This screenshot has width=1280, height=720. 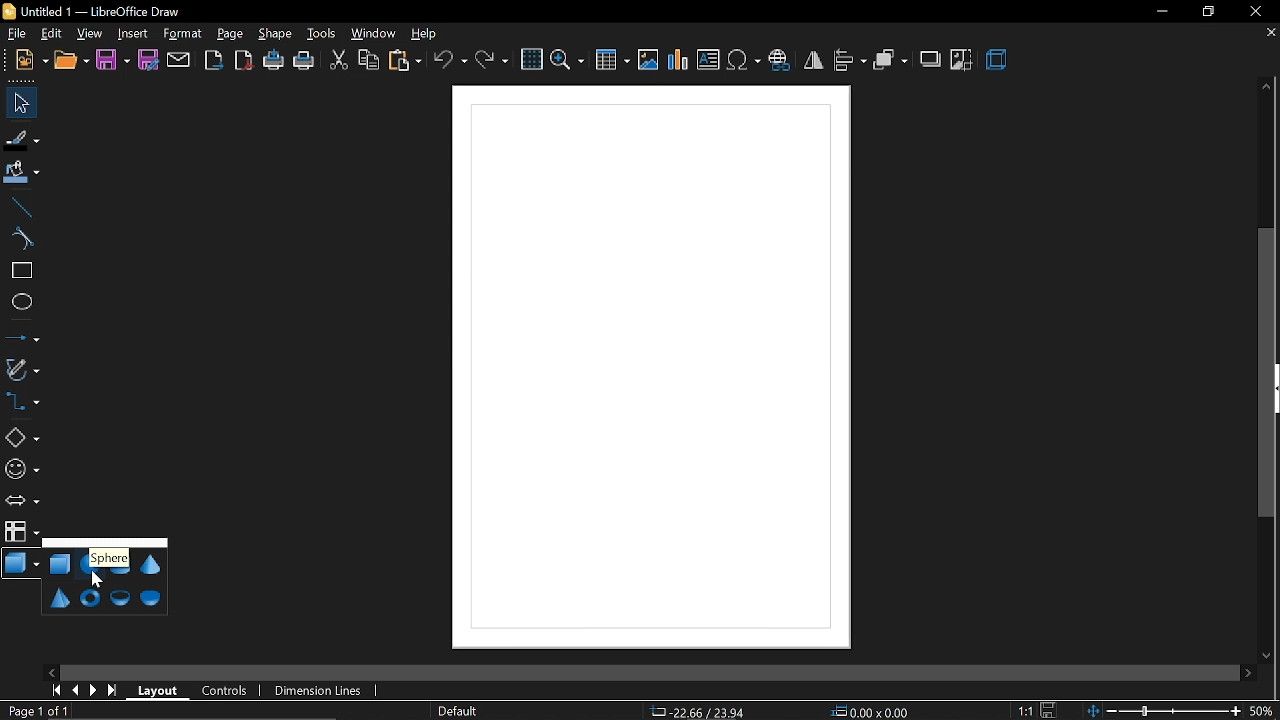 I want to click on insert table, so click(x=612, y=61).